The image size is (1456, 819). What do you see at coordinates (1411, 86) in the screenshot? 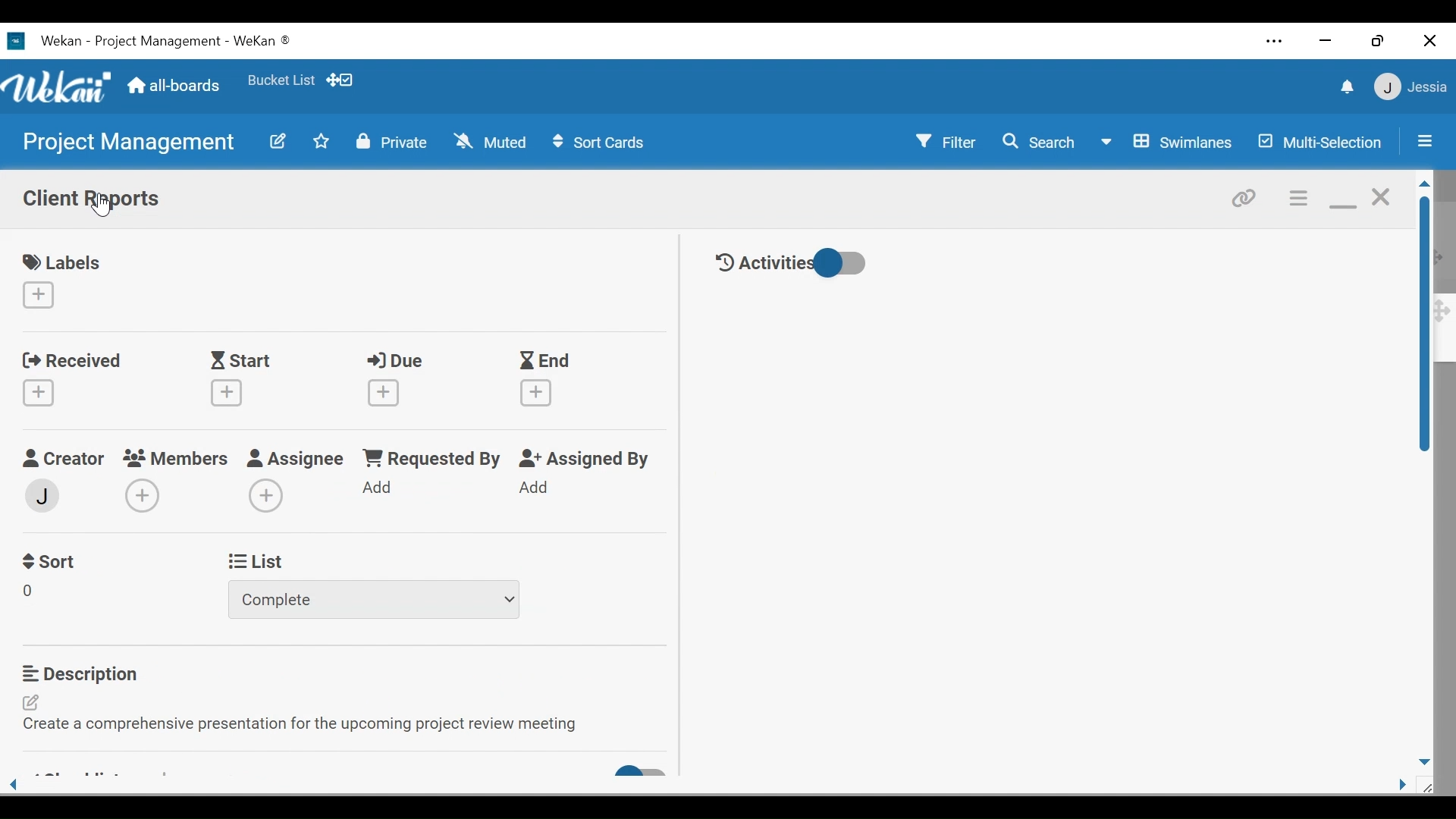
I see `User Member` at bounding box center [1411, 86].